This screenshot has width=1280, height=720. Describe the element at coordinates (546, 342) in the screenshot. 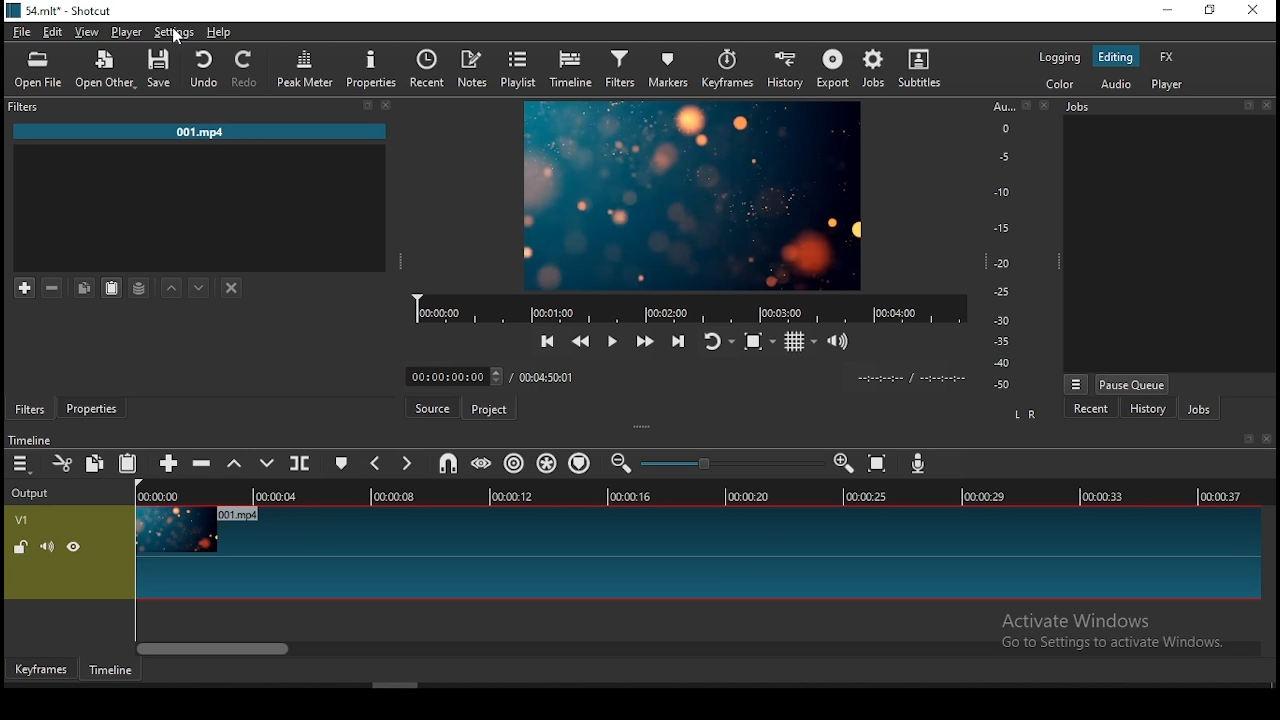

I see `skip to the previous point` at that location.